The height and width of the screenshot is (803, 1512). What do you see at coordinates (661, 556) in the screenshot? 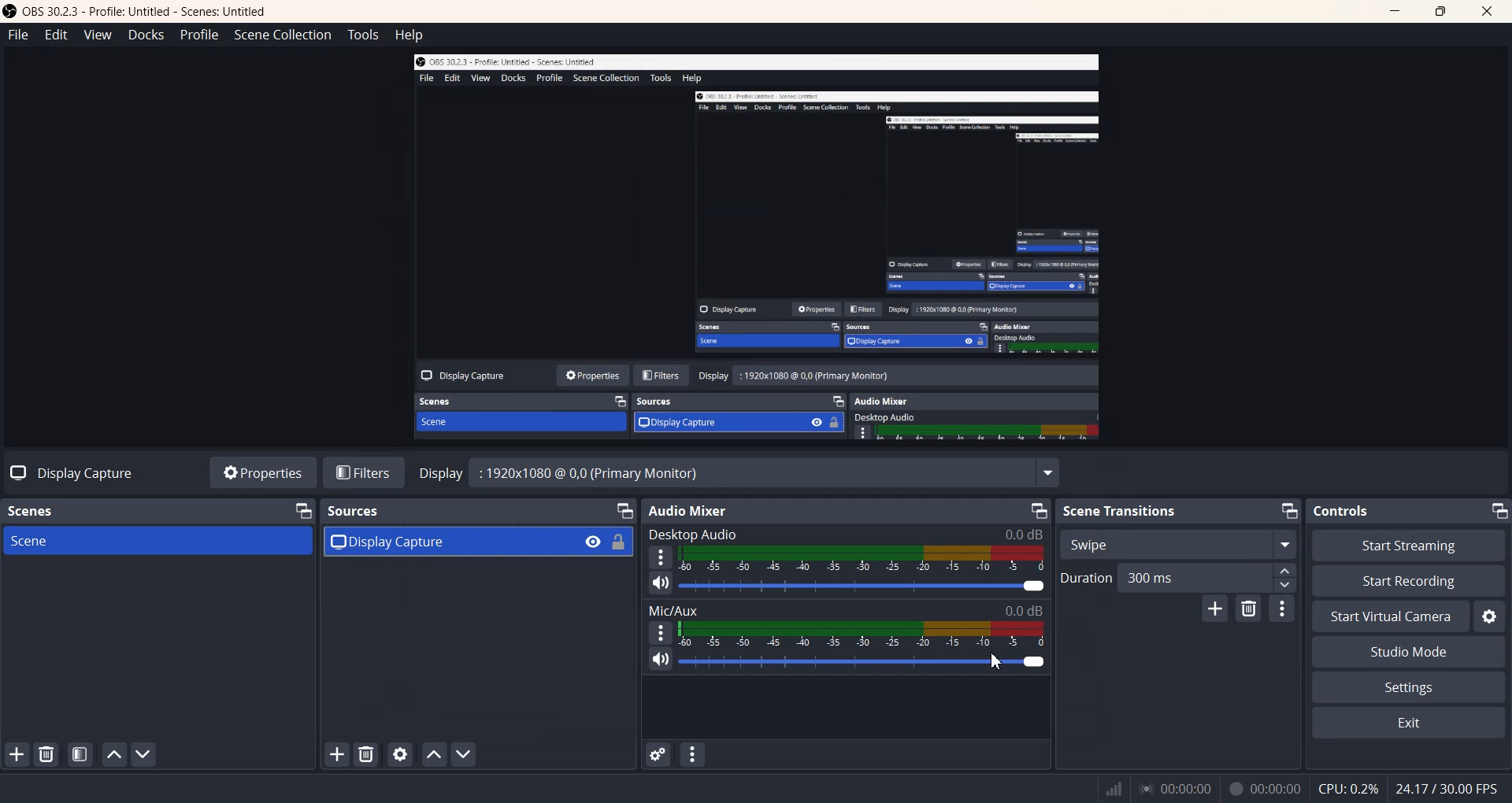
I see `More` at bounding box center [661, 556].